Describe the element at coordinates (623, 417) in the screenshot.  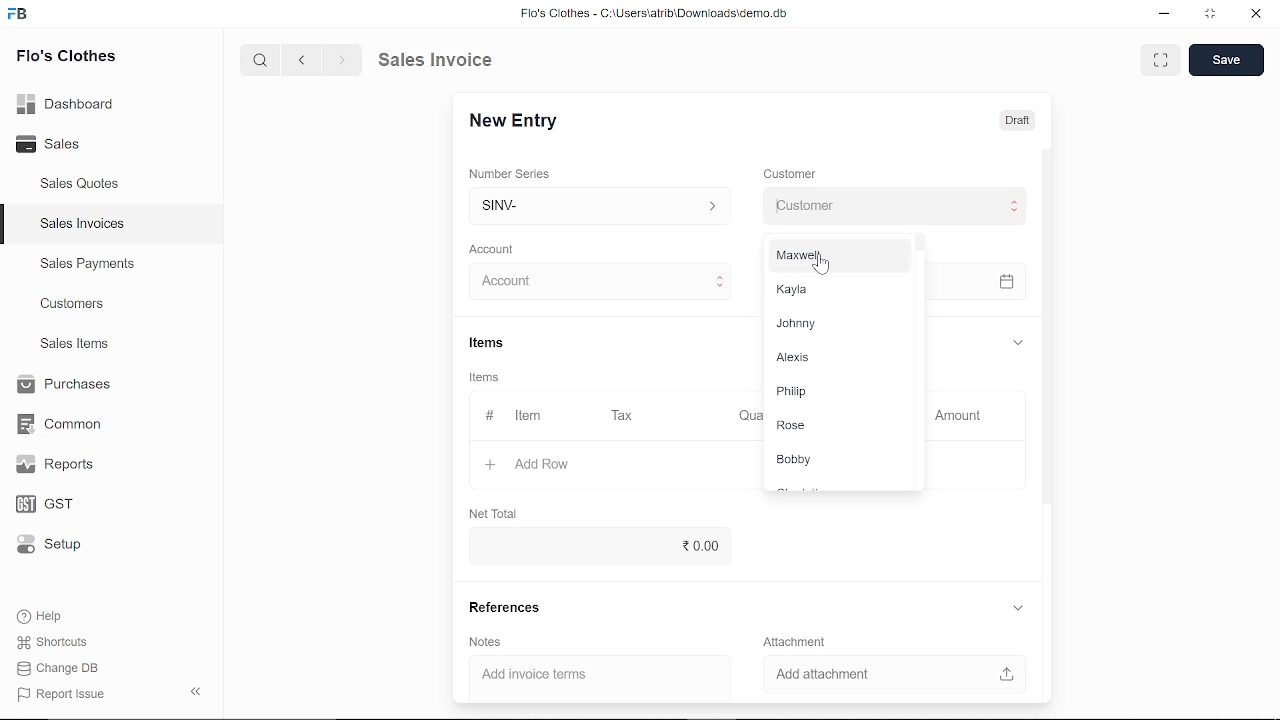
I see `Tax` at that location.